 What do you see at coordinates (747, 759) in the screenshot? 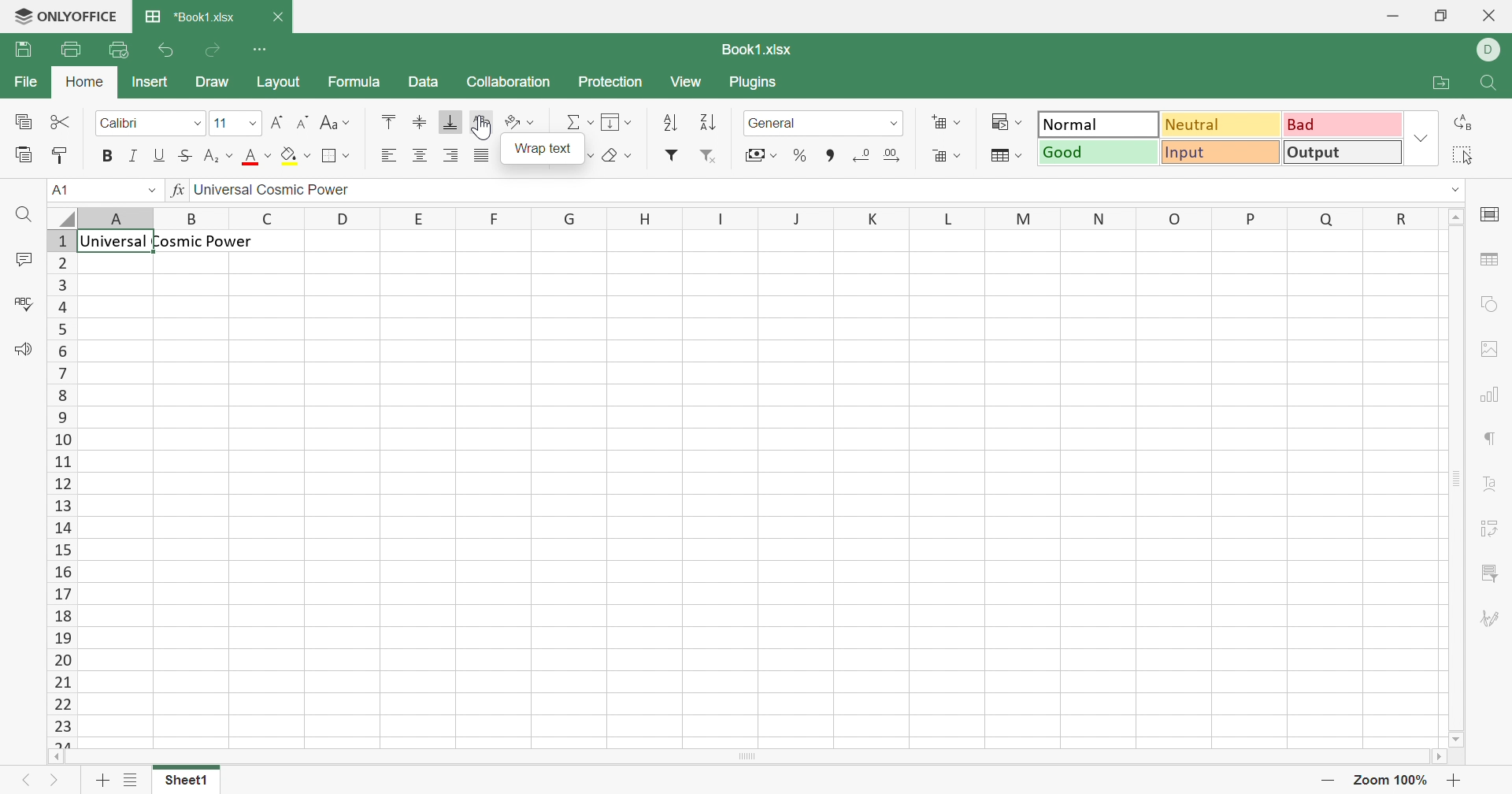
I see `Scroll Bar` at bounding box center [747, 759].